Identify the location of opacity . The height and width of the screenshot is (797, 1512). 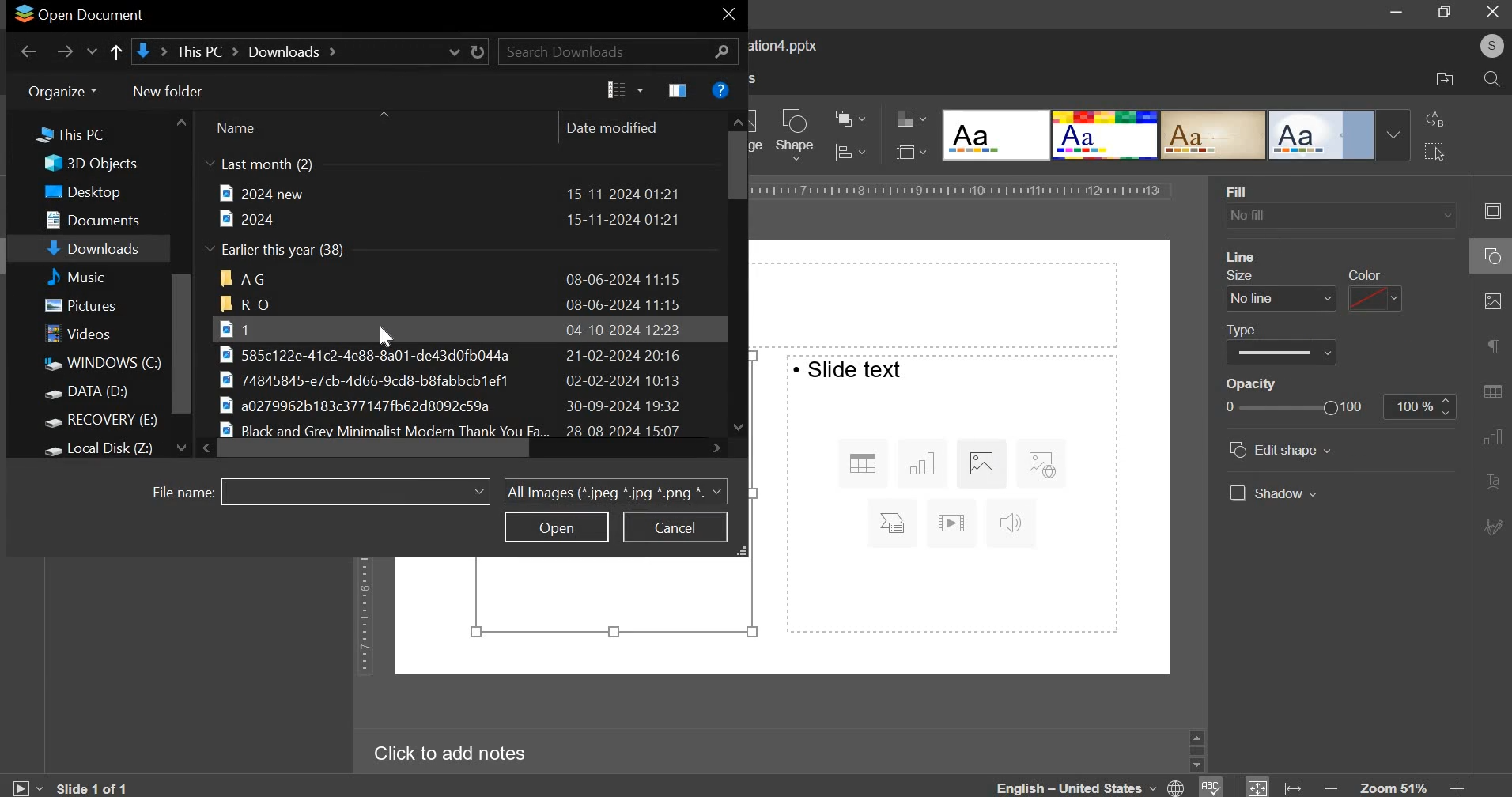
(1419, 407).